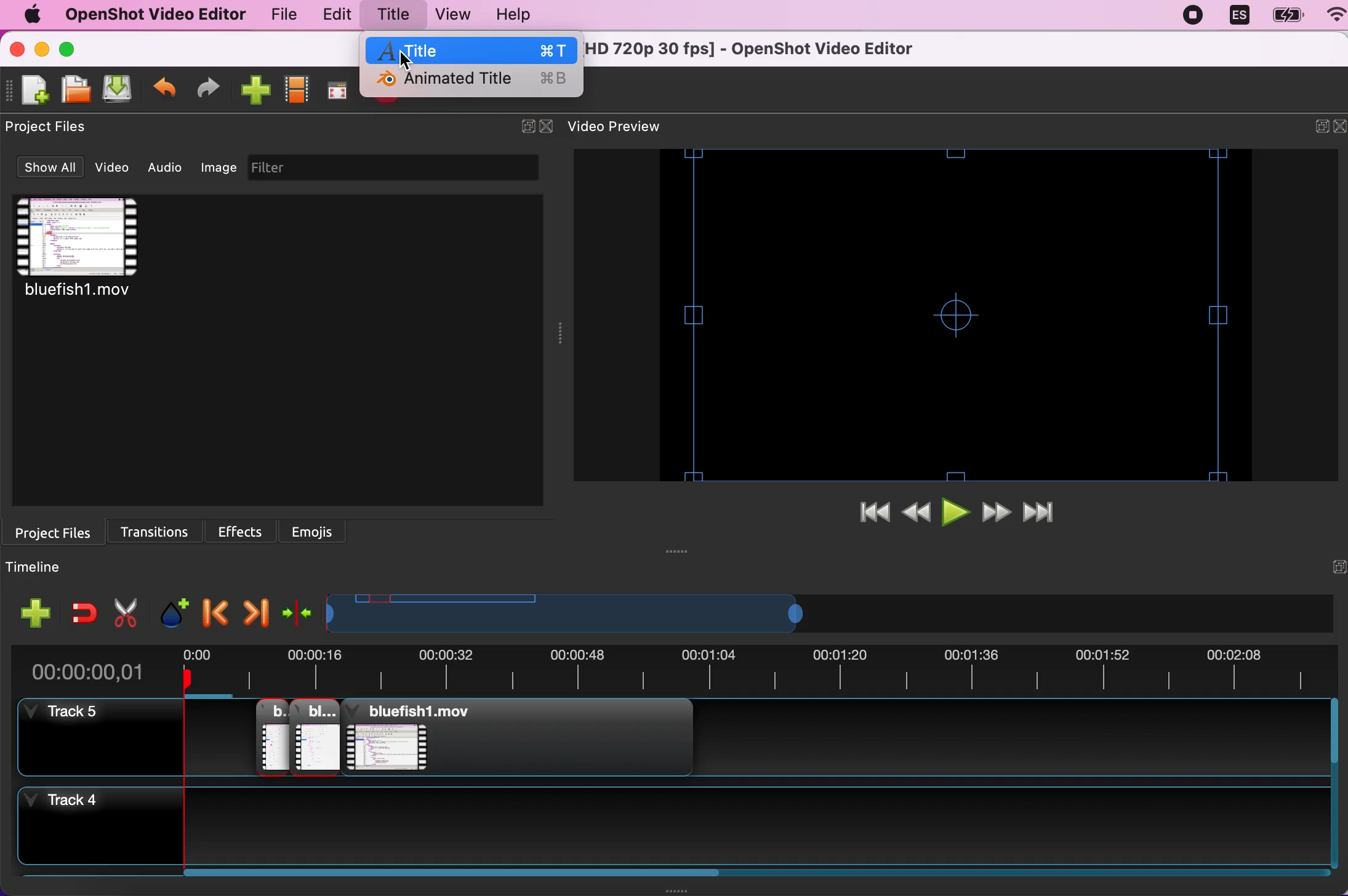  Describe the element at coordinates (448, 15) in the screenshot. I see `view` at that location.